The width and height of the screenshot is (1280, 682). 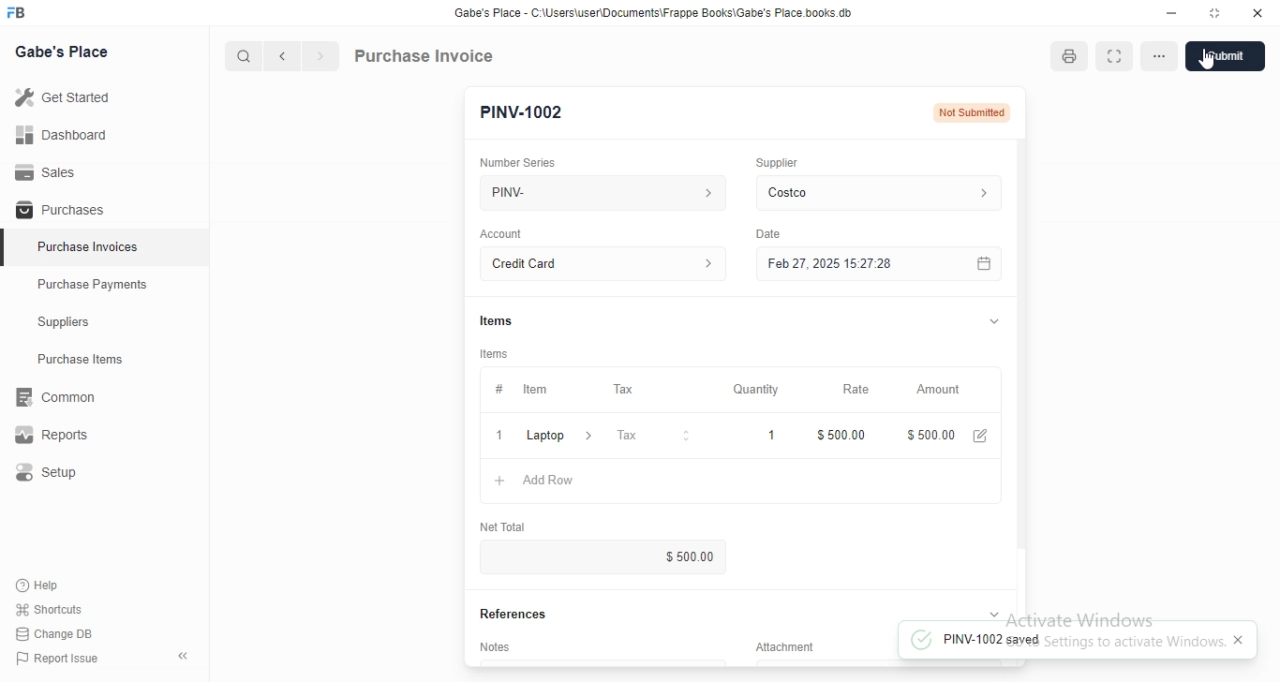 I want to click on Date, so click(x=768, y=234).